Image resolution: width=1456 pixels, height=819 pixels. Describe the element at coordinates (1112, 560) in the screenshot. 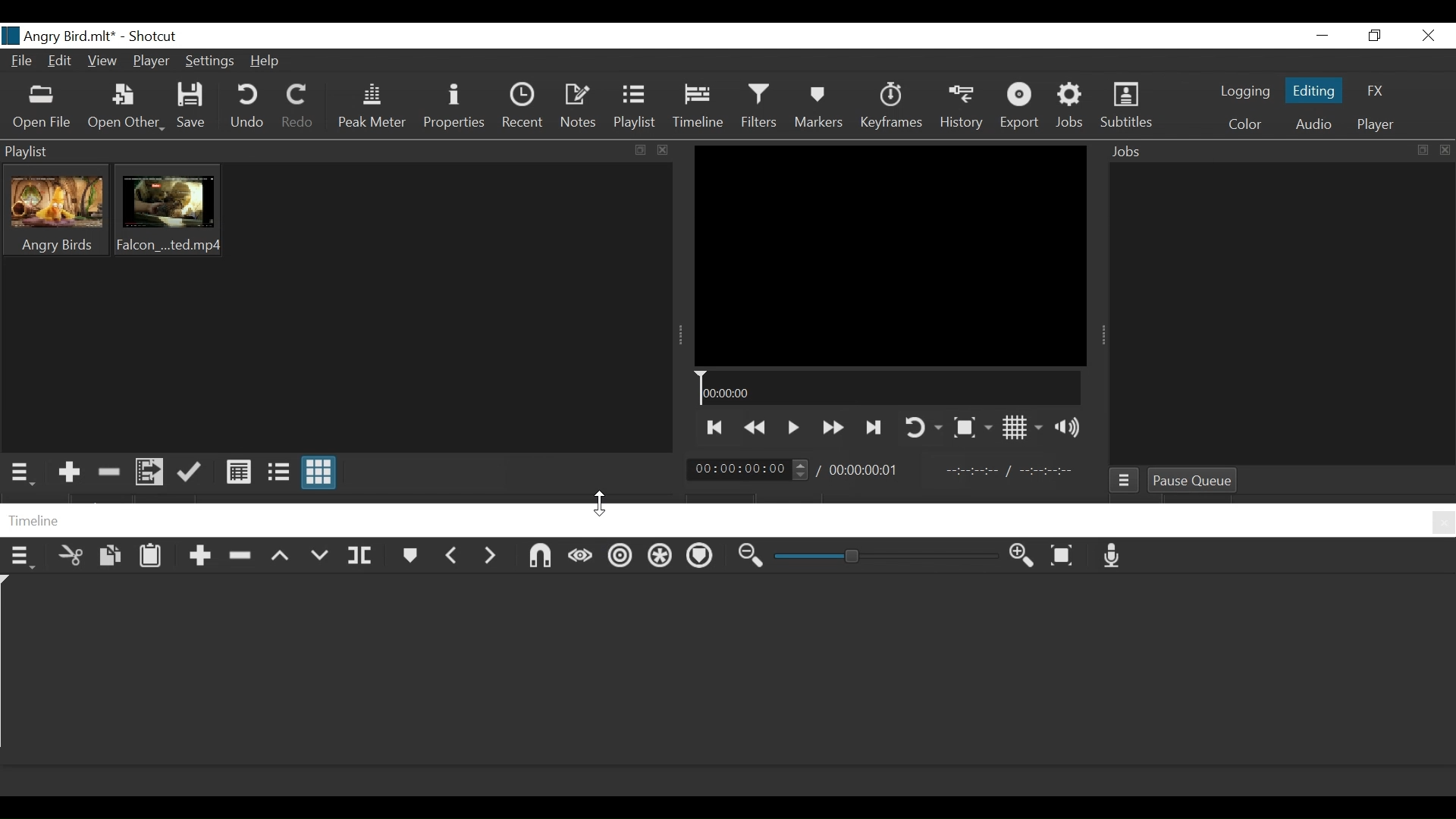

I see `Record audio` at that location.